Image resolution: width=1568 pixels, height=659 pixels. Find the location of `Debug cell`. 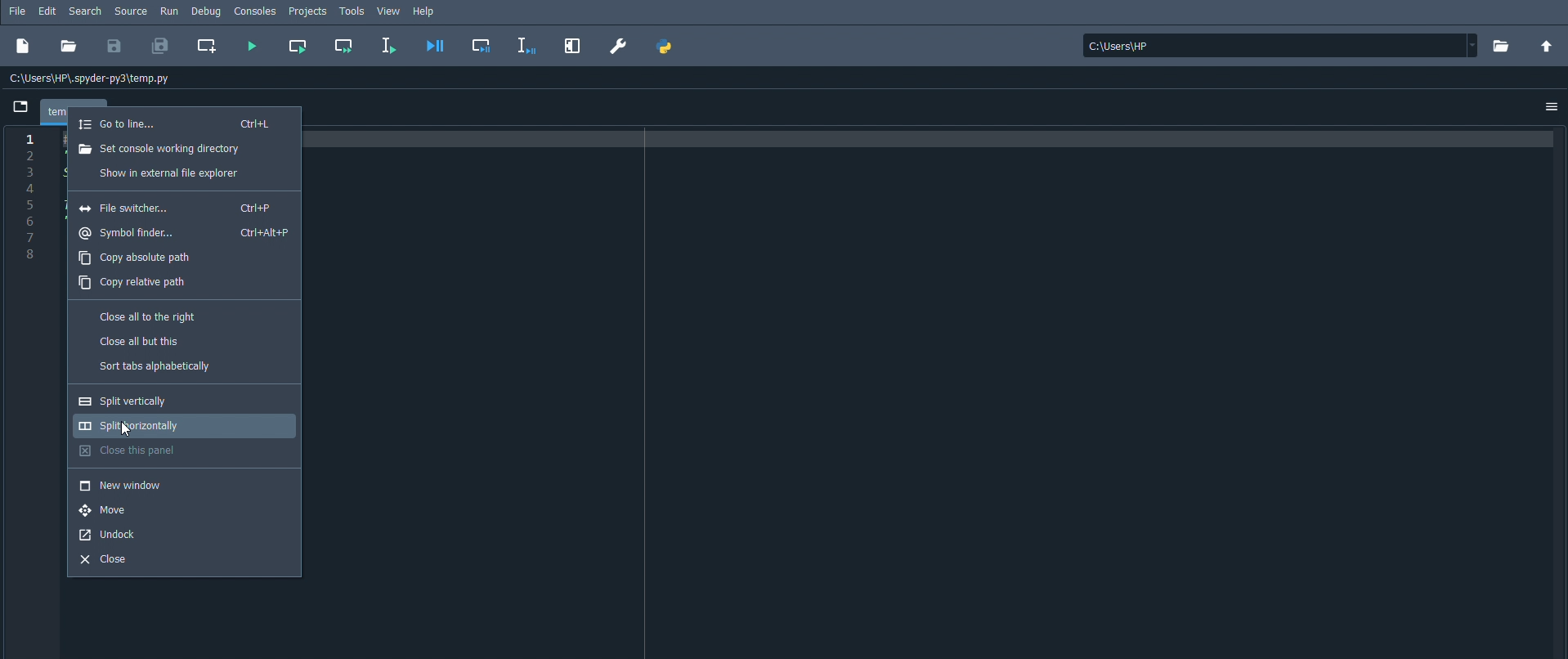

Debug cell is located at coordinates (482, 45).